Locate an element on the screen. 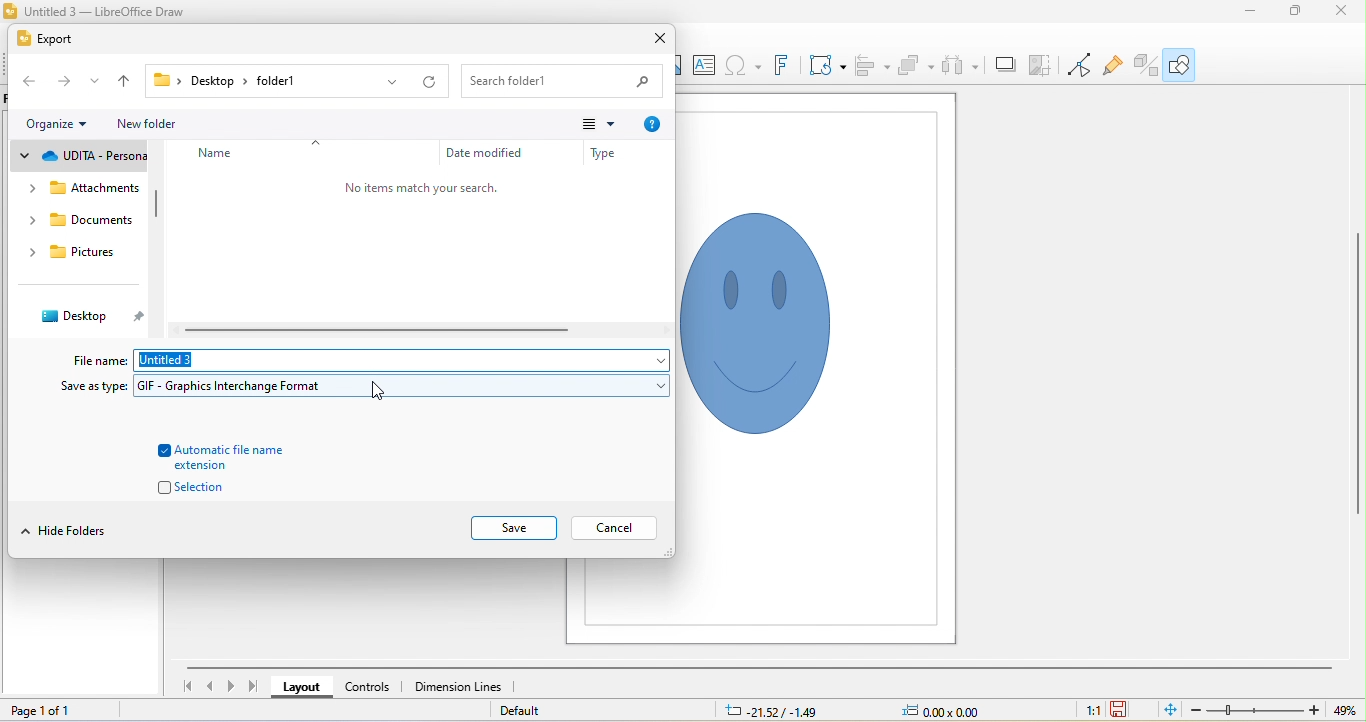  save as type is located at coordinates (95, 388).